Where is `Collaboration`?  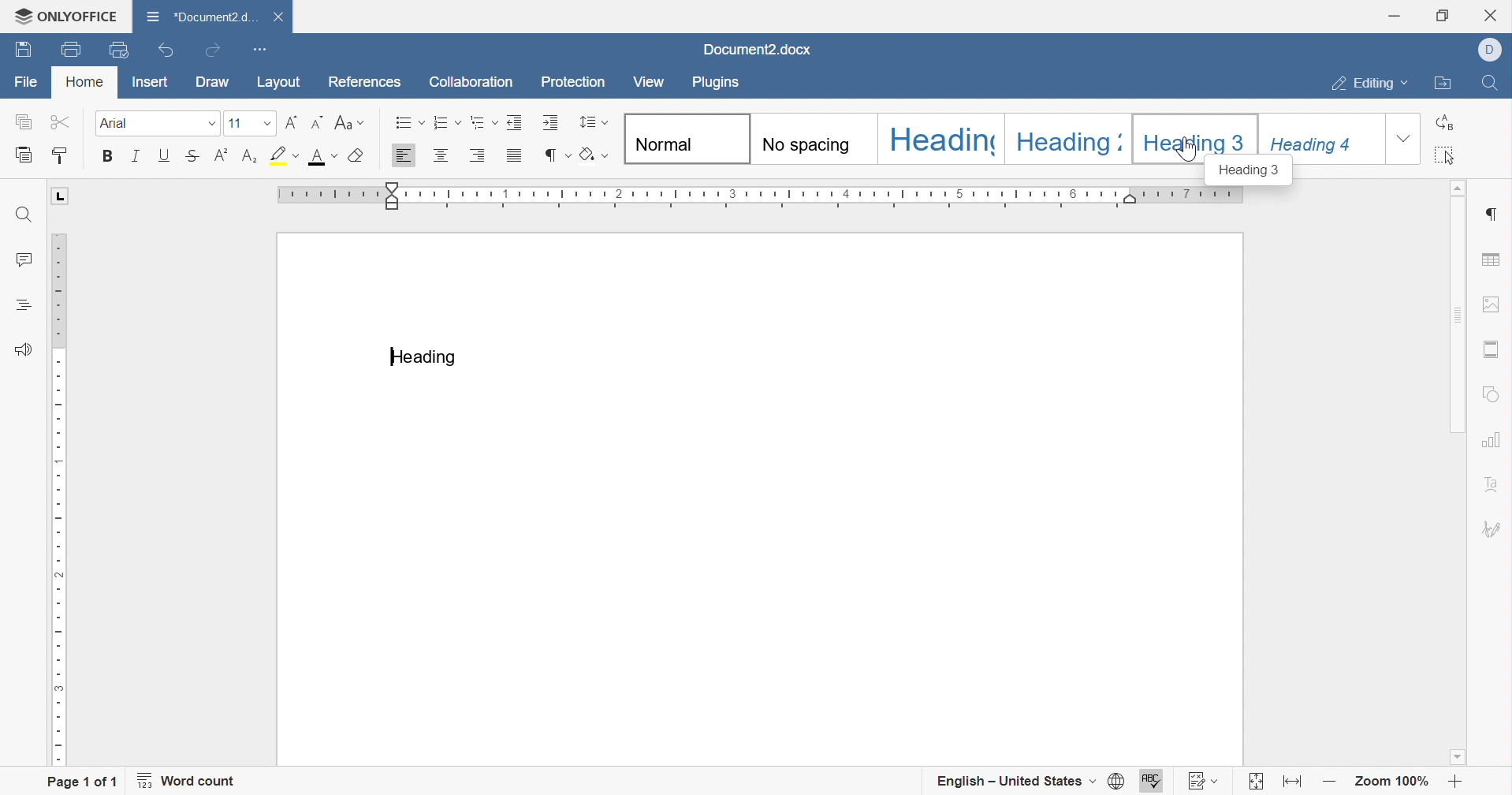
Collaboration is located at coordinates (474, 84).